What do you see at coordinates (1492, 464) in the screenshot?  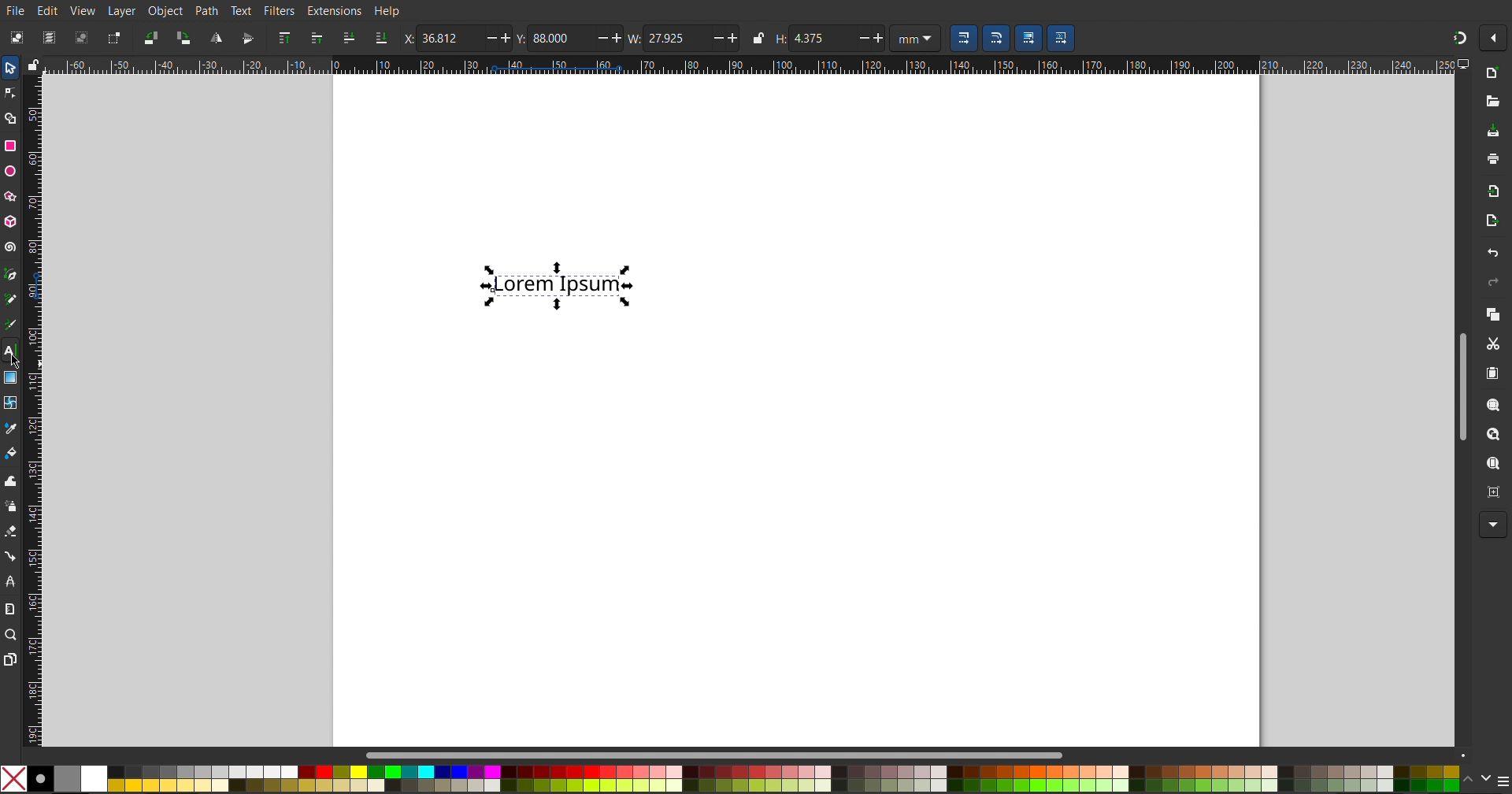 I see `Zoom Page` at bounding box center [1492, 464].